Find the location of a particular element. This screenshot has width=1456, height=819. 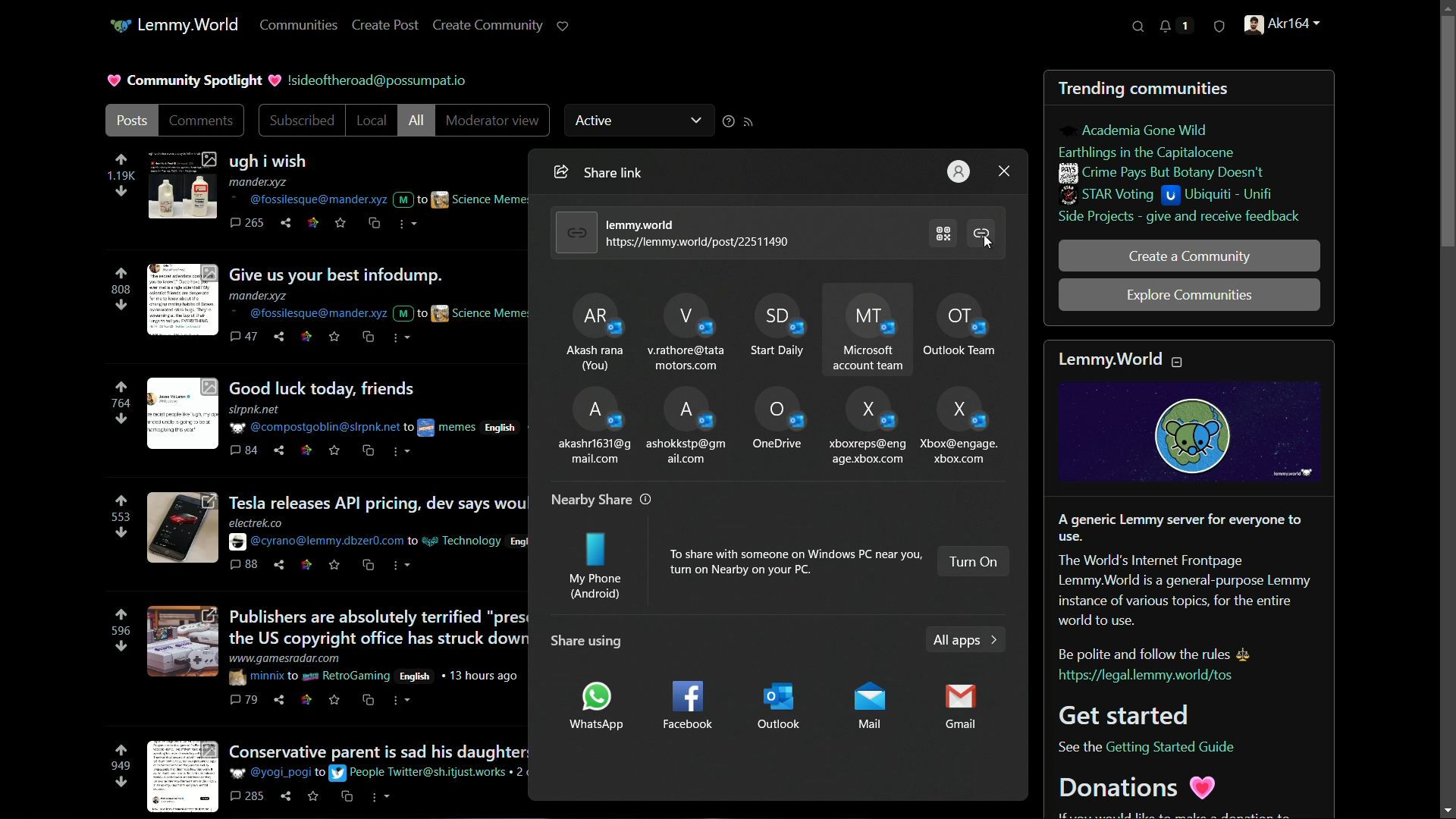

facebook is located at coordinates (686, 707).